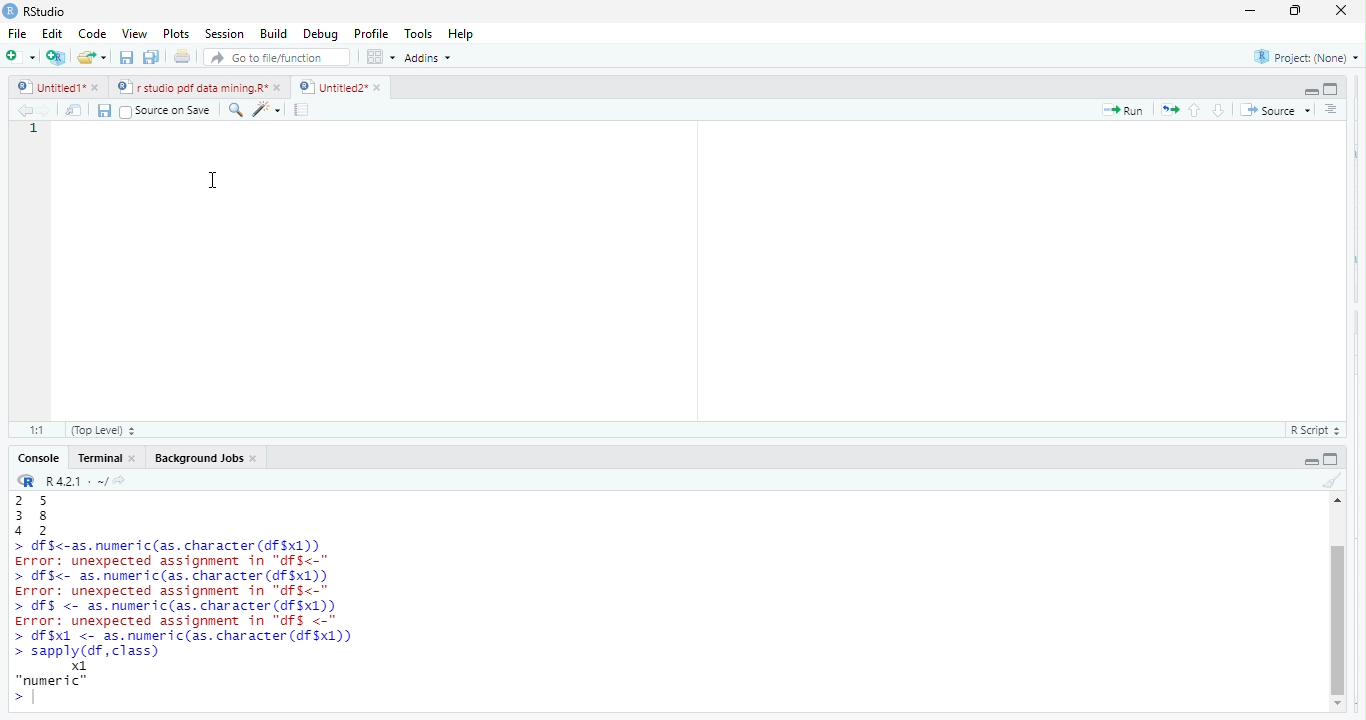 The image size is (1366, 720). What do you see at coordinates (303, 110) in the screenshot?
I see `compile report` at bounding box center [303, 110].